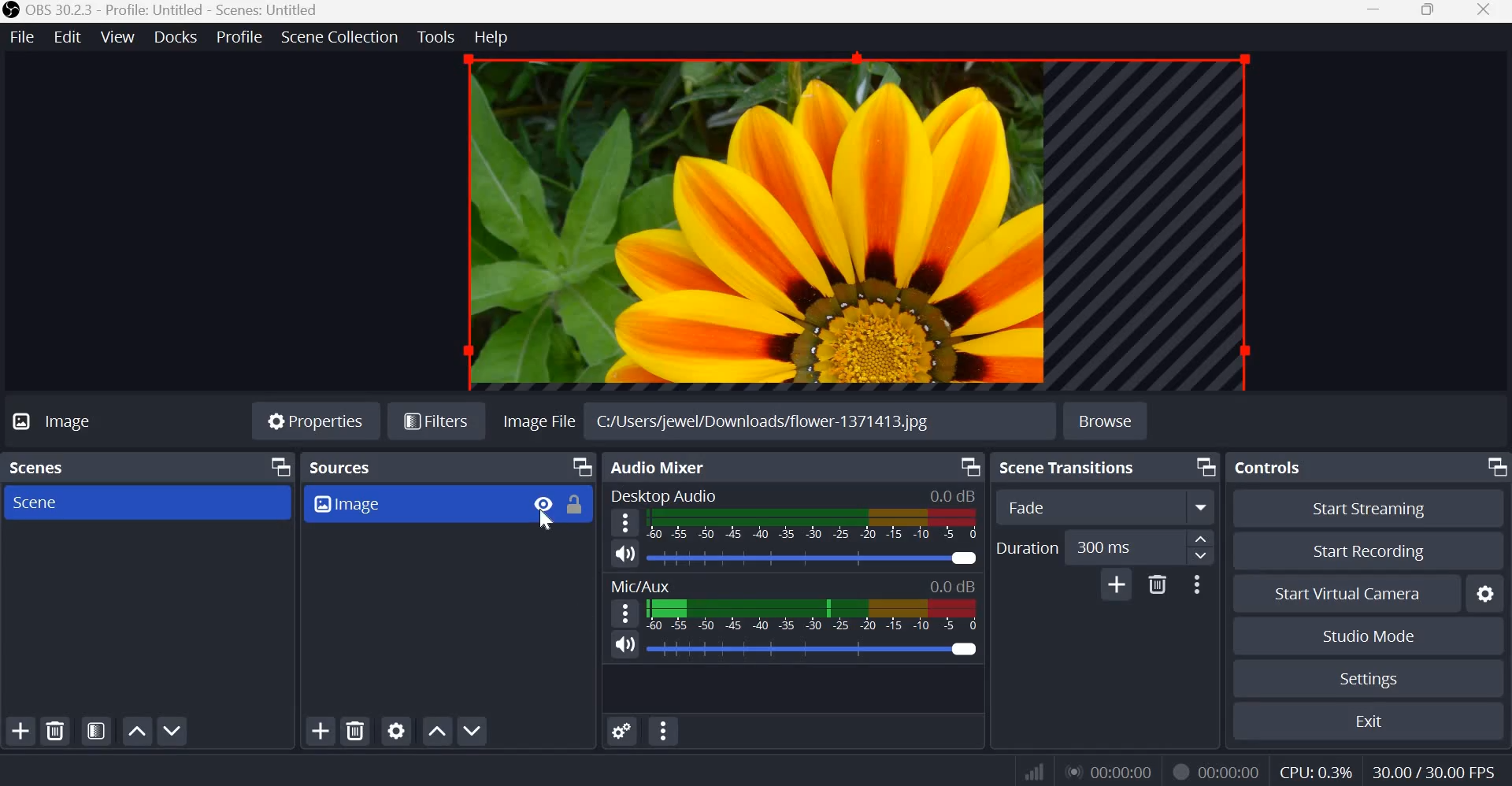  I want to click on Open scene filters, so click(95, 733).